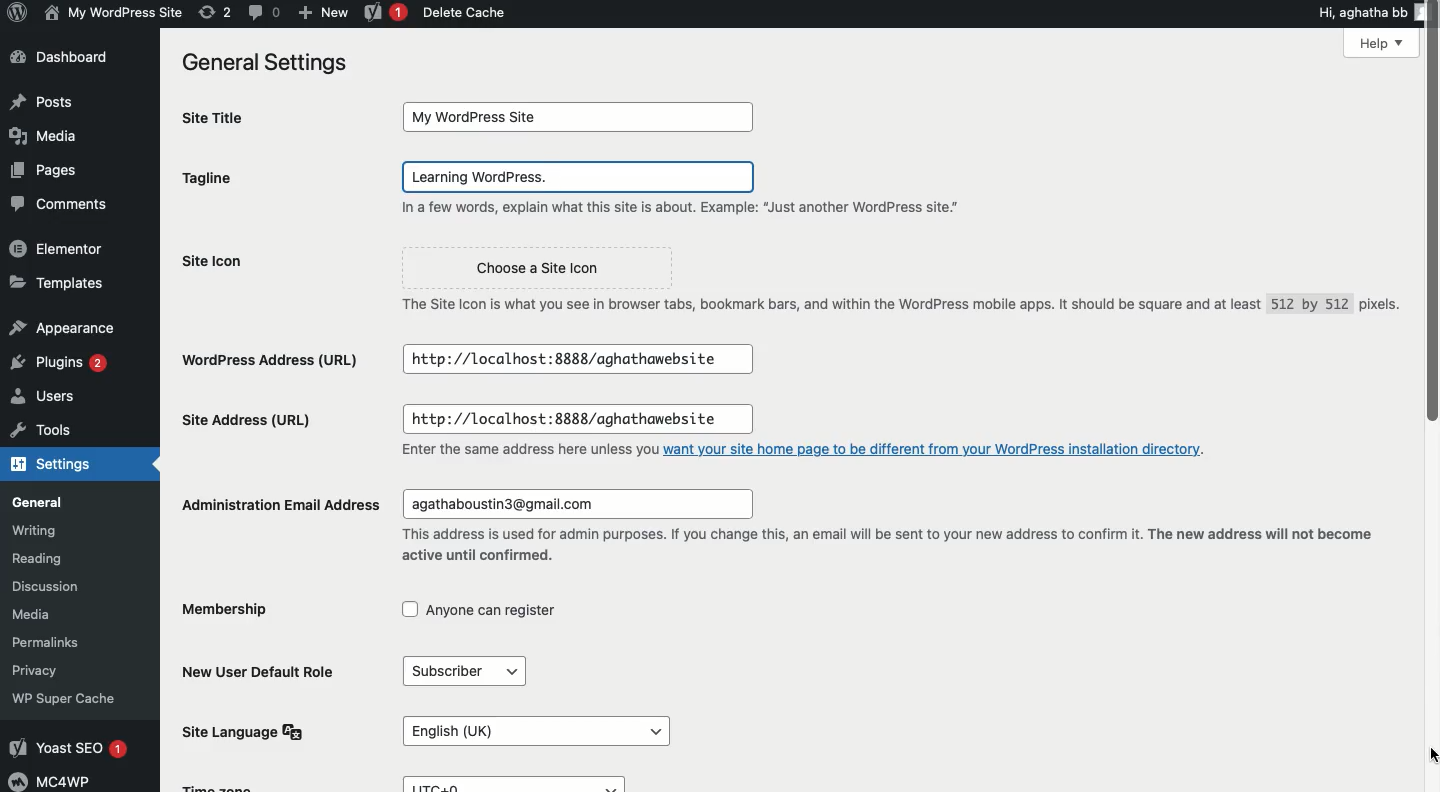 The image size is (1440, 792). I want to click on Appearance, so click(62, 324).